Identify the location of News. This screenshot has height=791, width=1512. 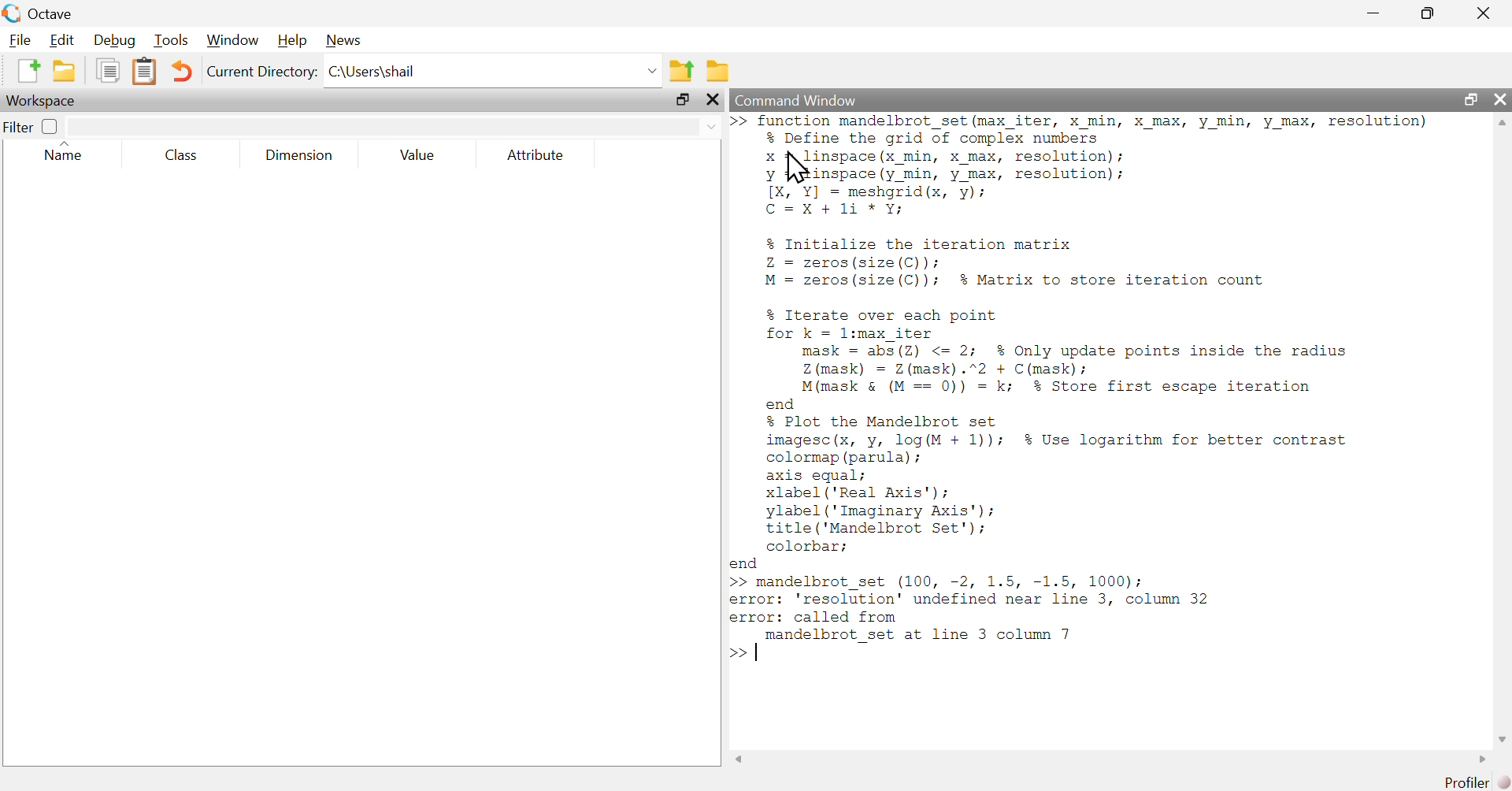
(343, 41).